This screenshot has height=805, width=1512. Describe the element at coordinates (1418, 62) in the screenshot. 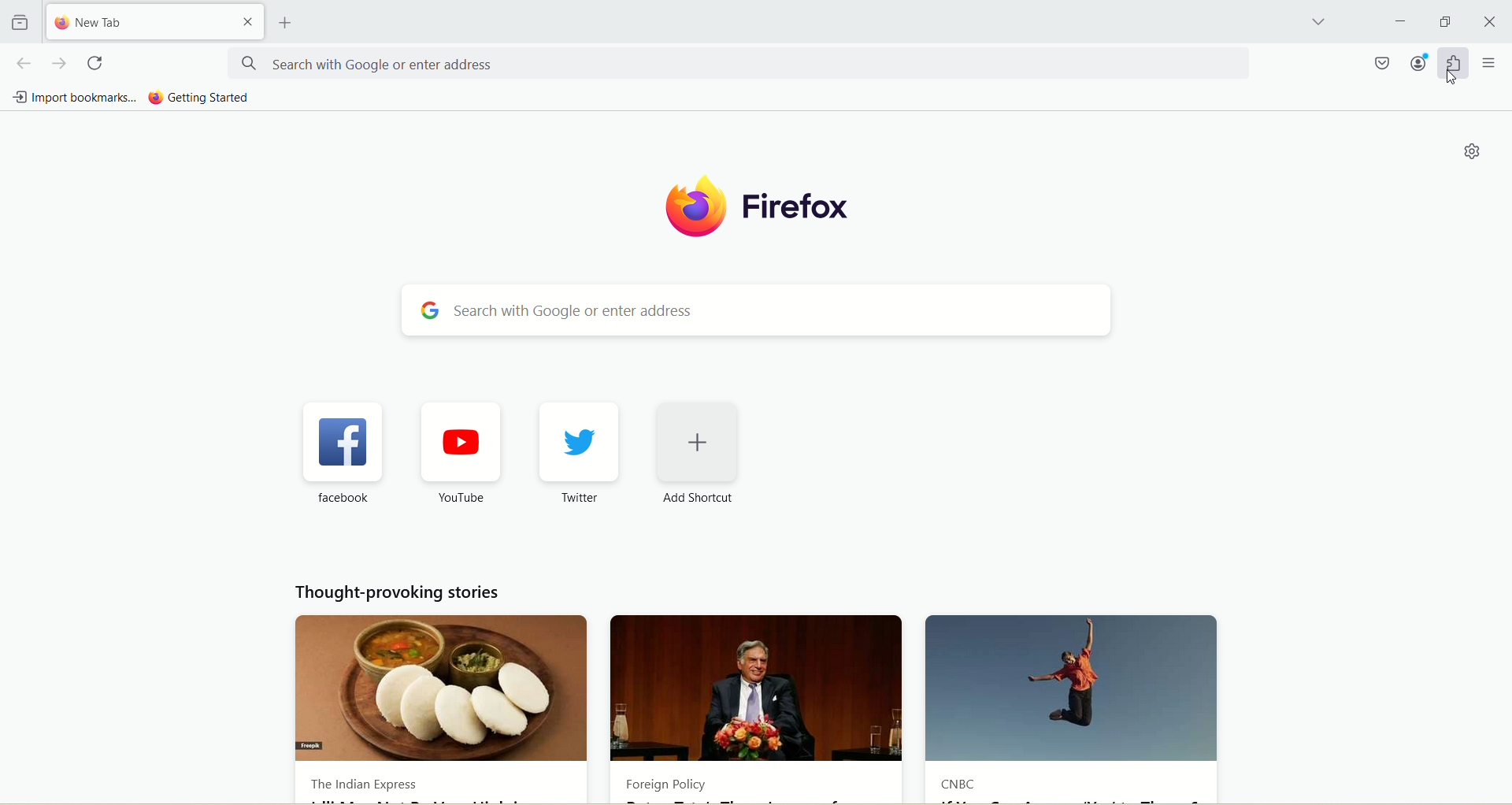

I see `Account` at that location.